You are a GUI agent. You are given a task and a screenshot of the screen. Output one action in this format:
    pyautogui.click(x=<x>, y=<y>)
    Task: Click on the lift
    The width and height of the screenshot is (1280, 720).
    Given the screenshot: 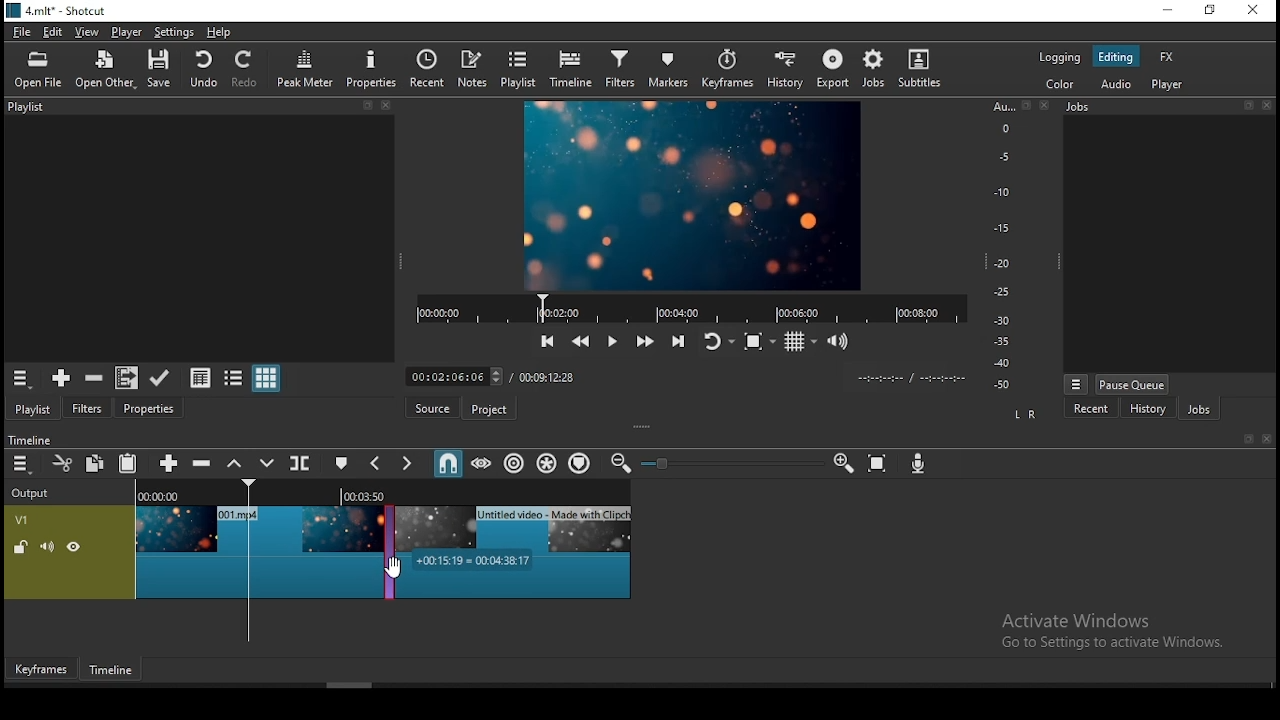 What is the action you would take?
    pyautogui.click(x=232, y=464)
    